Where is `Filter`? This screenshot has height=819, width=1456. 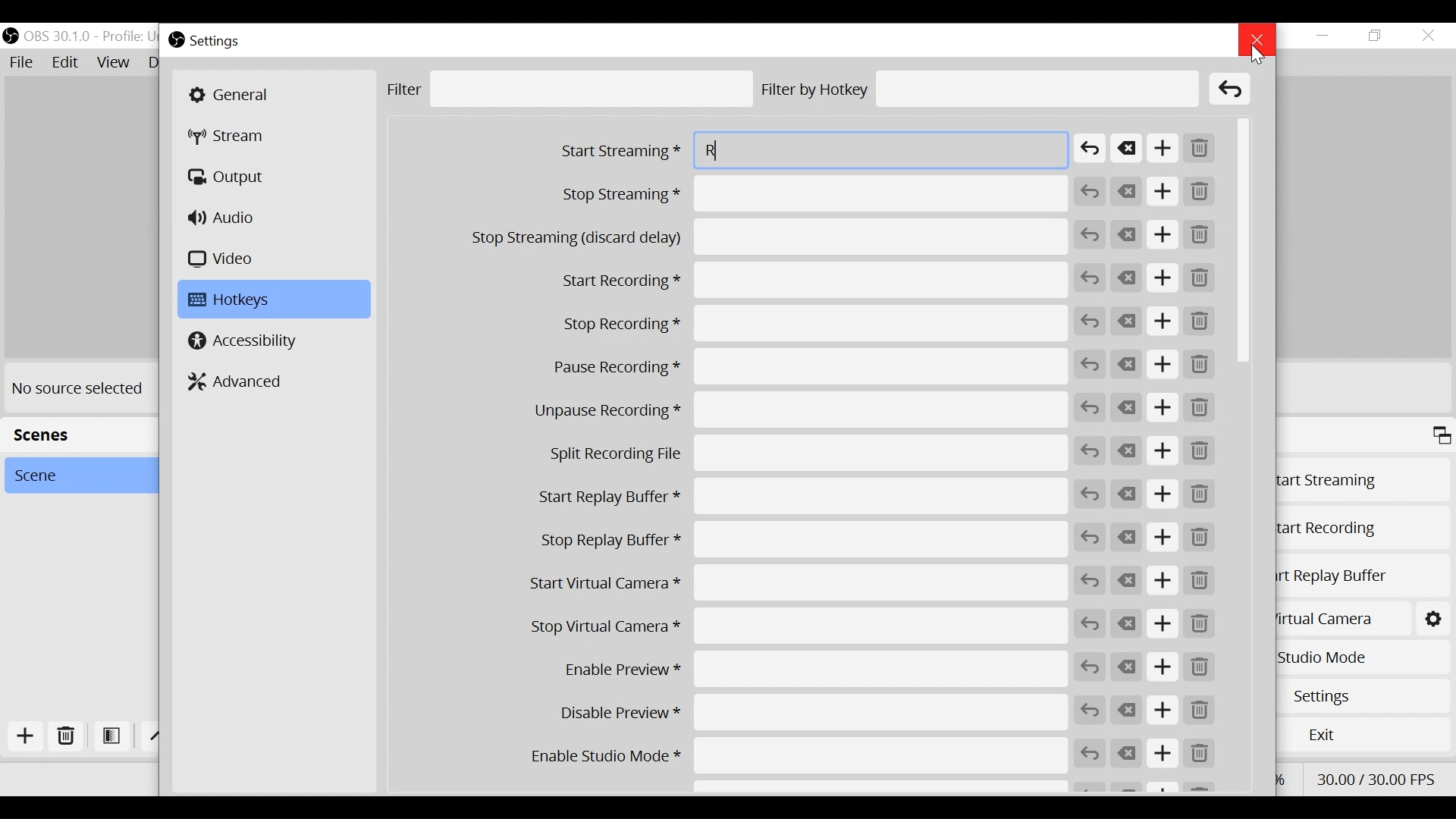
Filter is located at coordinates (570, 89).